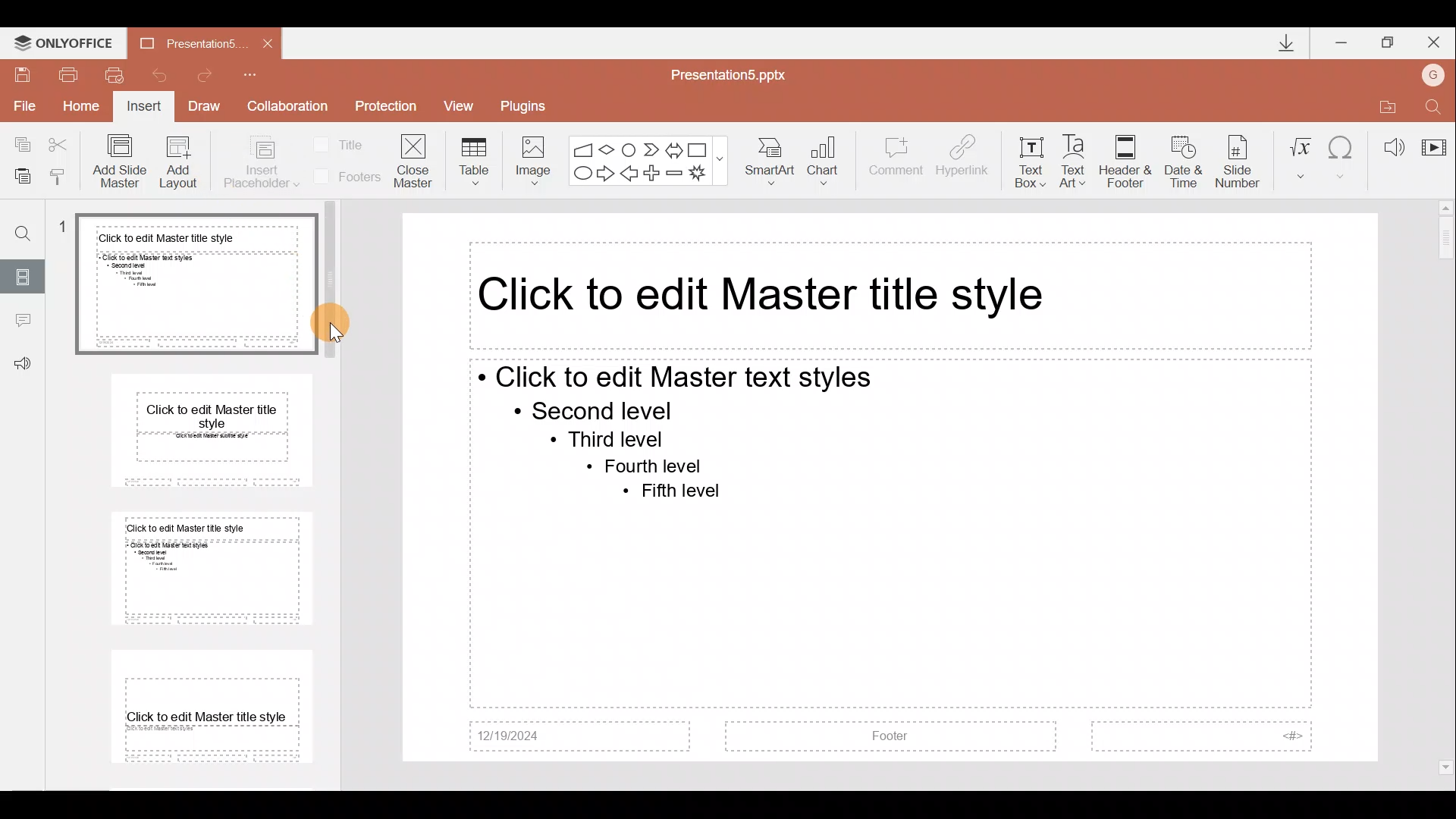  Describe the element at coordinates (204, 705) in the screenshot. I see `Slide 4` at that location.